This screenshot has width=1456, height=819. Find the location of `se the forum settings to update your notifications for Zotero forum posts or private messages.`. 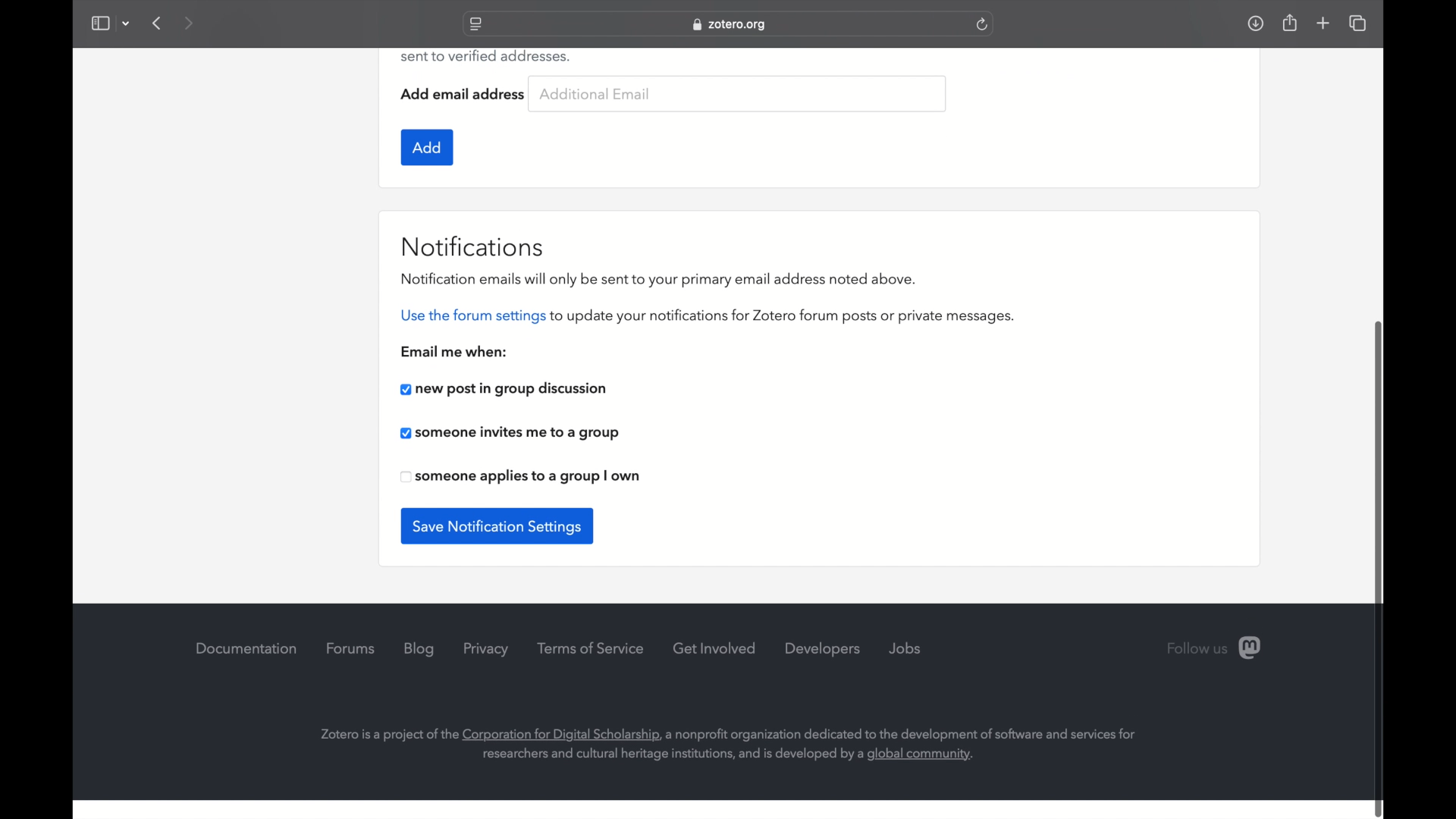

se the forum settings to update your notifications for Zotero forum posts or private messages. is located at coordinates (717, 316).